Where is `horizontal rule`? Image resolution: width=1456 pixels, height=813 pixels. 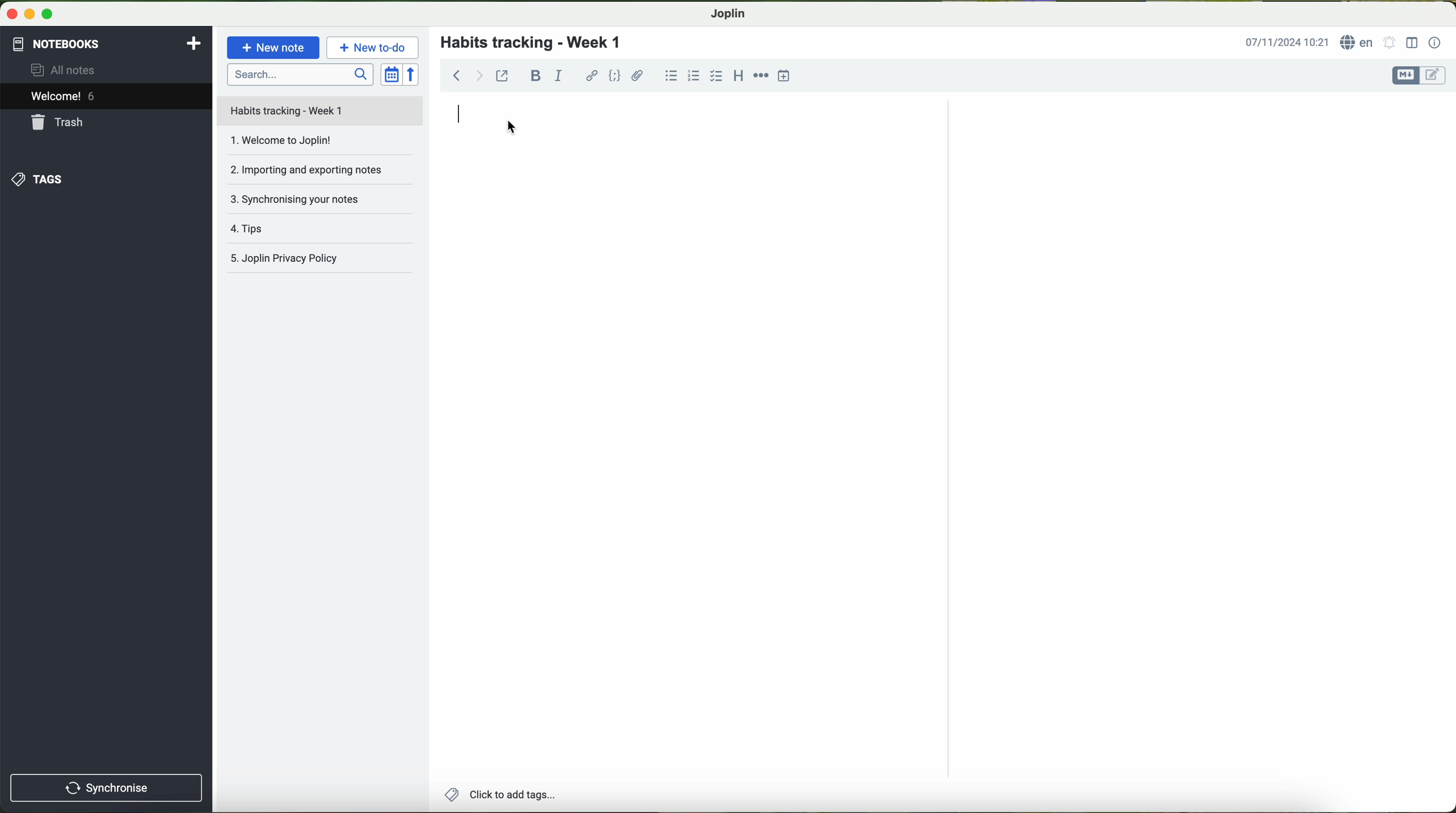
horizontal rule is located at coordinates (761, 76).